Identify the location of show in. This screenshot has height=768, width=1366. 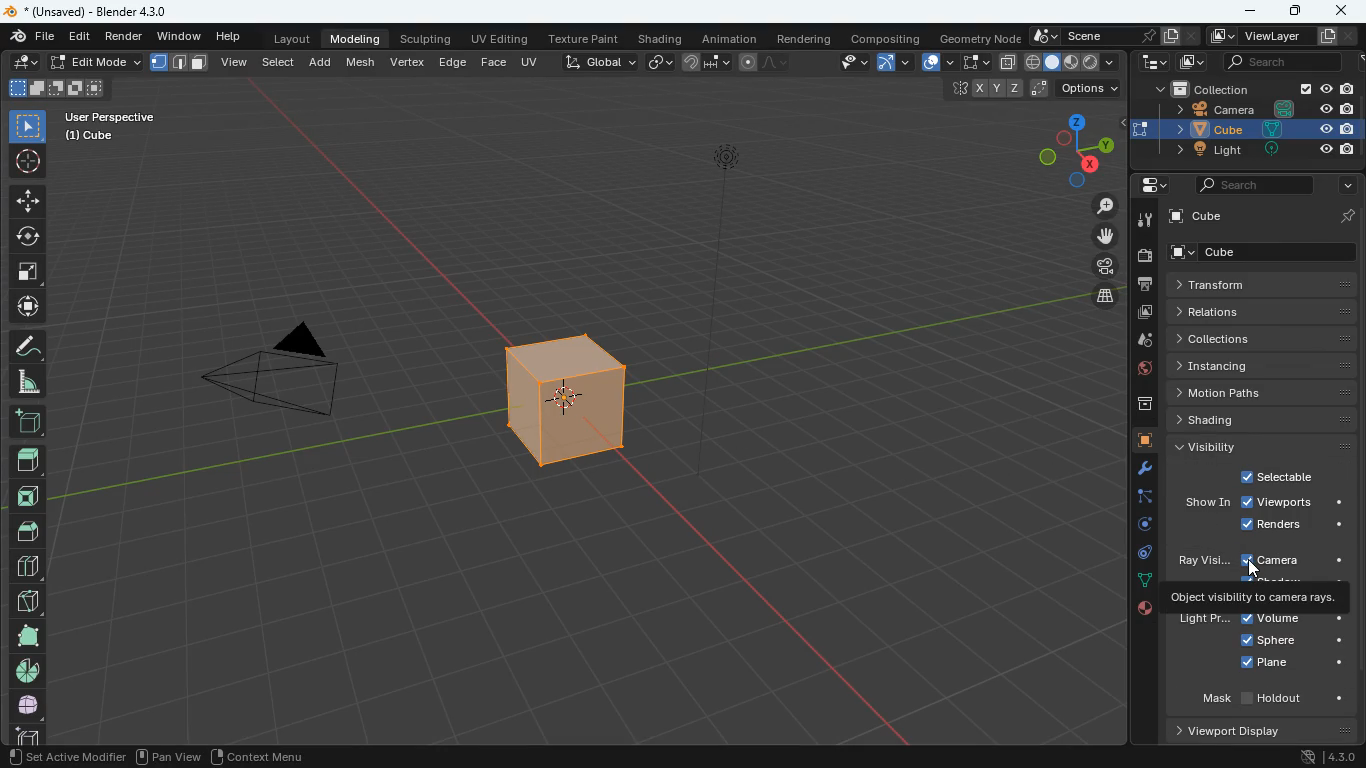
(1207, 503).